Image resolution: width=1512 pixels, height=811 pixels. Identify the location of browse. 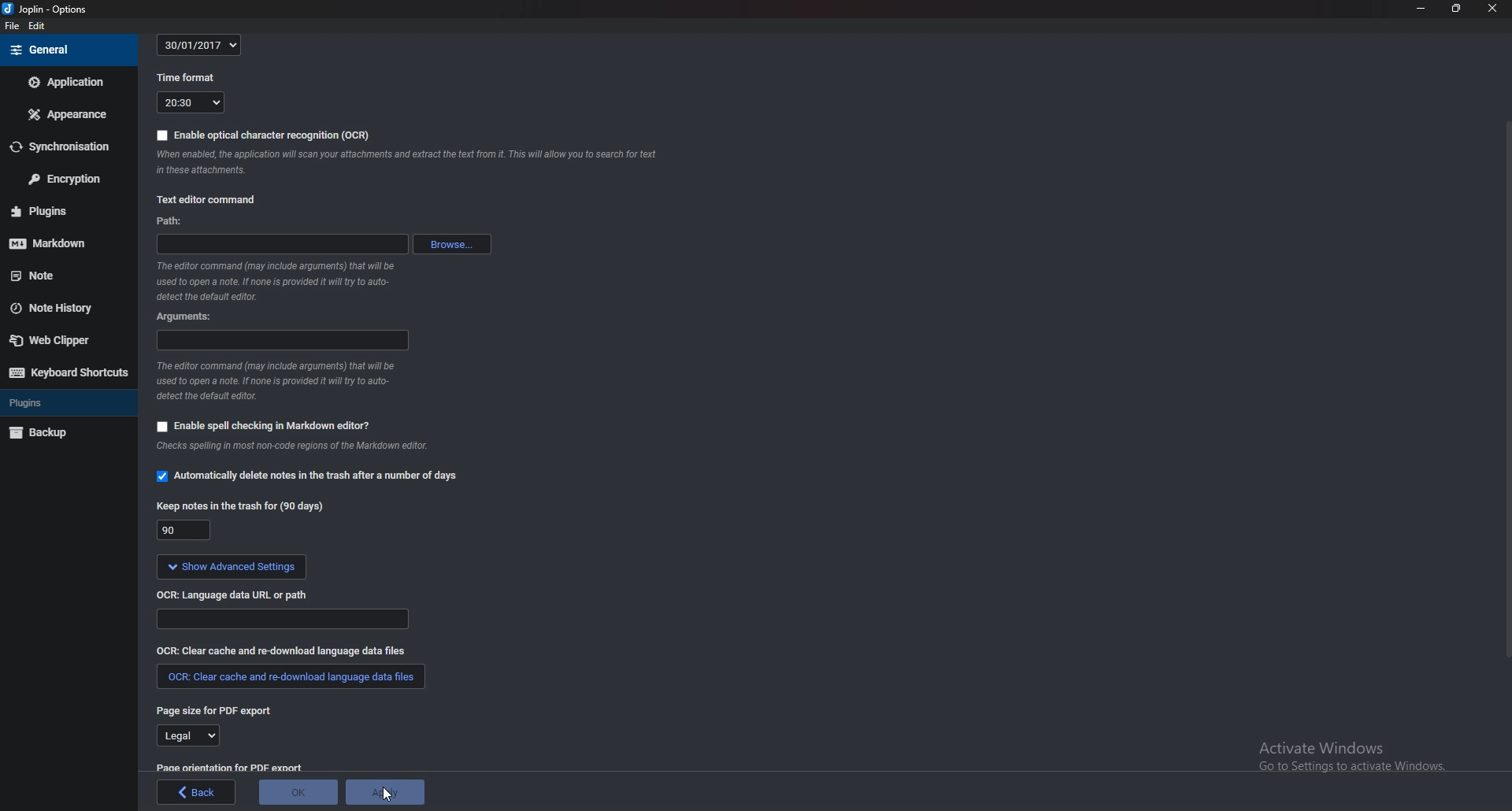
(452, 243).